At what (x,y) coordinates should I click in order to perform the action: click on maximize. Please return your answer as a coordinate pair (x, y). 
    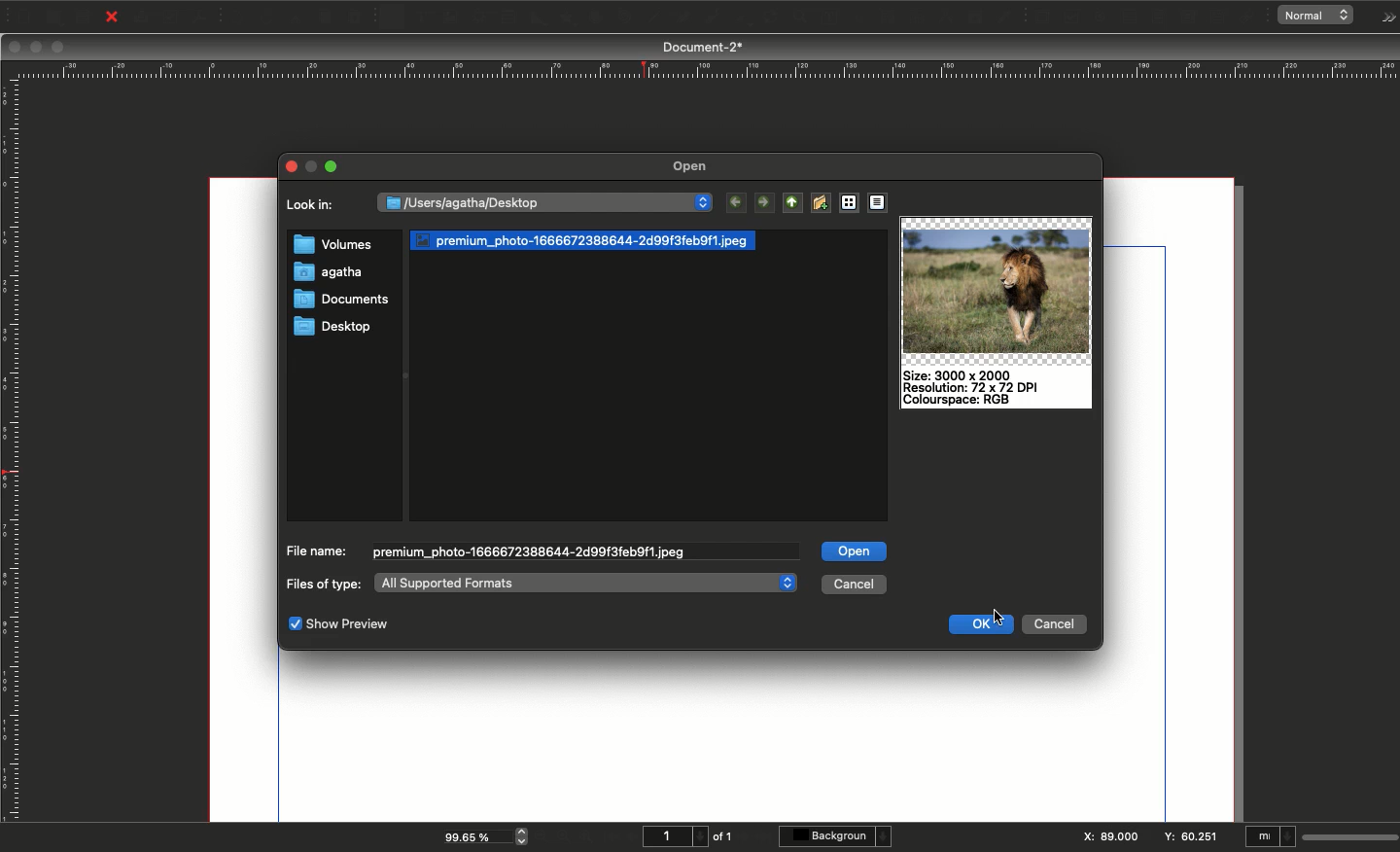
    Looking at the image, I should click on (316, 166).